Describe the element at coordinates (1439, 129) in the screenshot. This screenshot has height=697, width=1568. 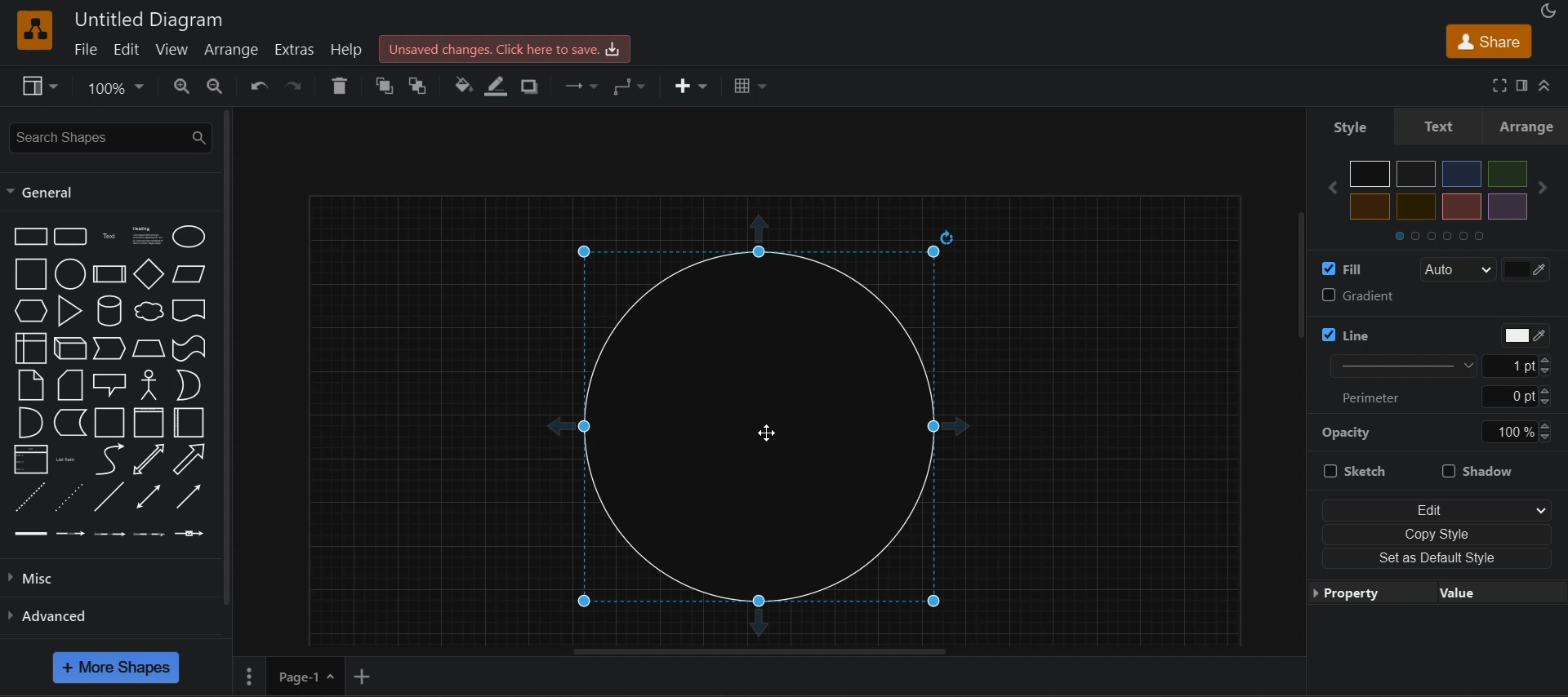
I see `text ` at that location.